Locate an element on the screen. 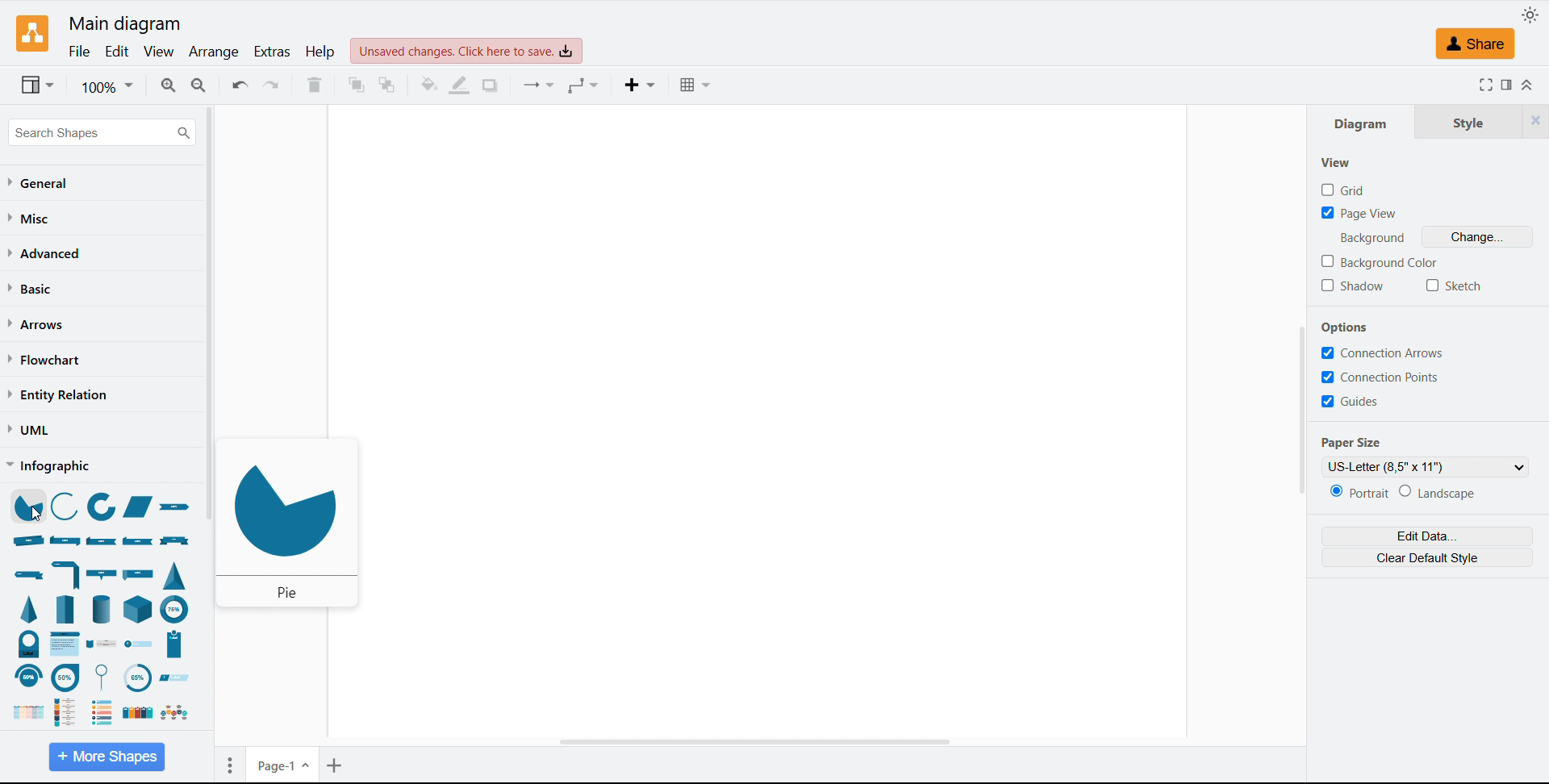  Page 1  is located at coordinates (282, 765).